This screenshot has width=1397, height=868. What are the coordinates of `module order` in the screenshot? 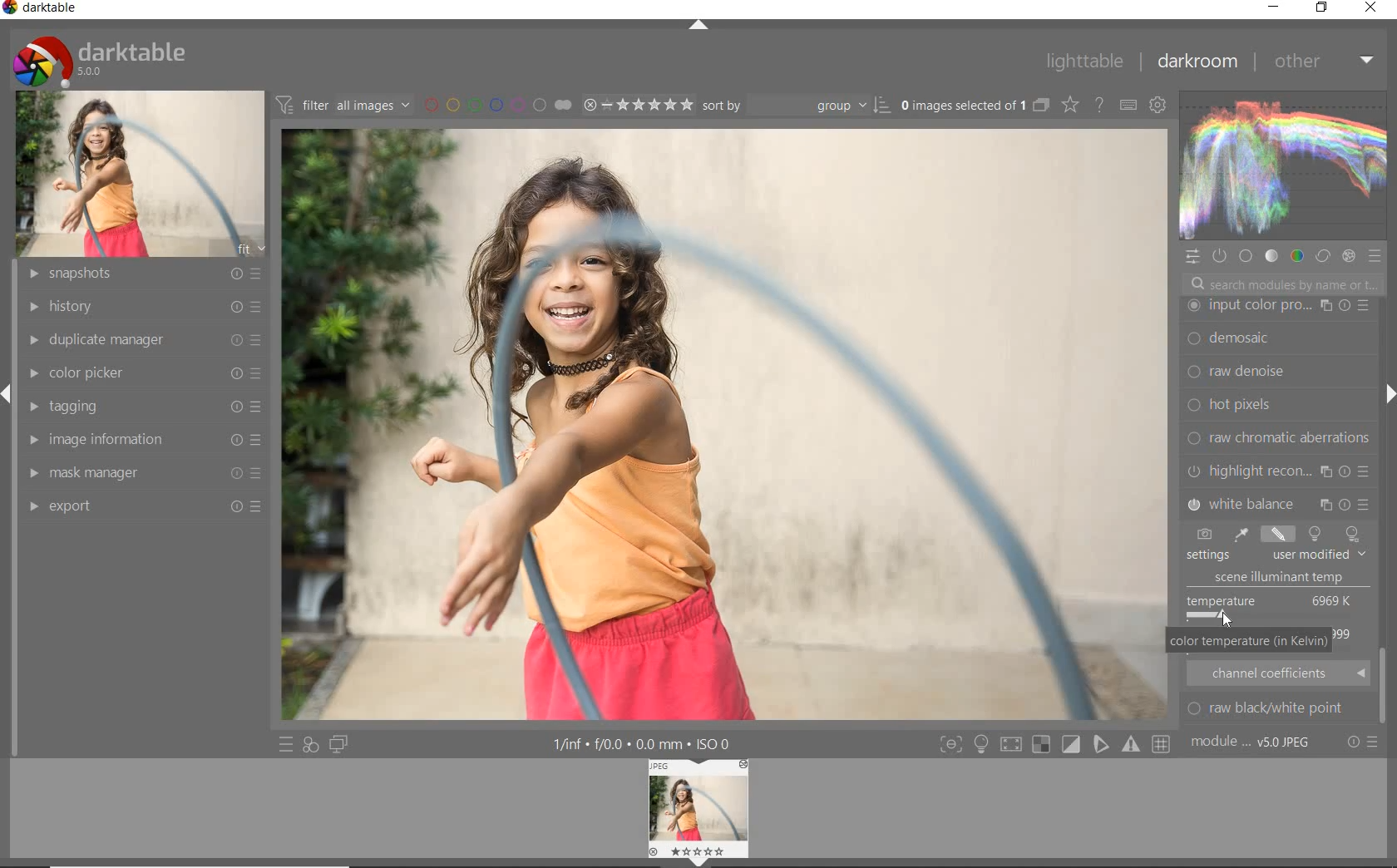 It's located at (1253, 743).